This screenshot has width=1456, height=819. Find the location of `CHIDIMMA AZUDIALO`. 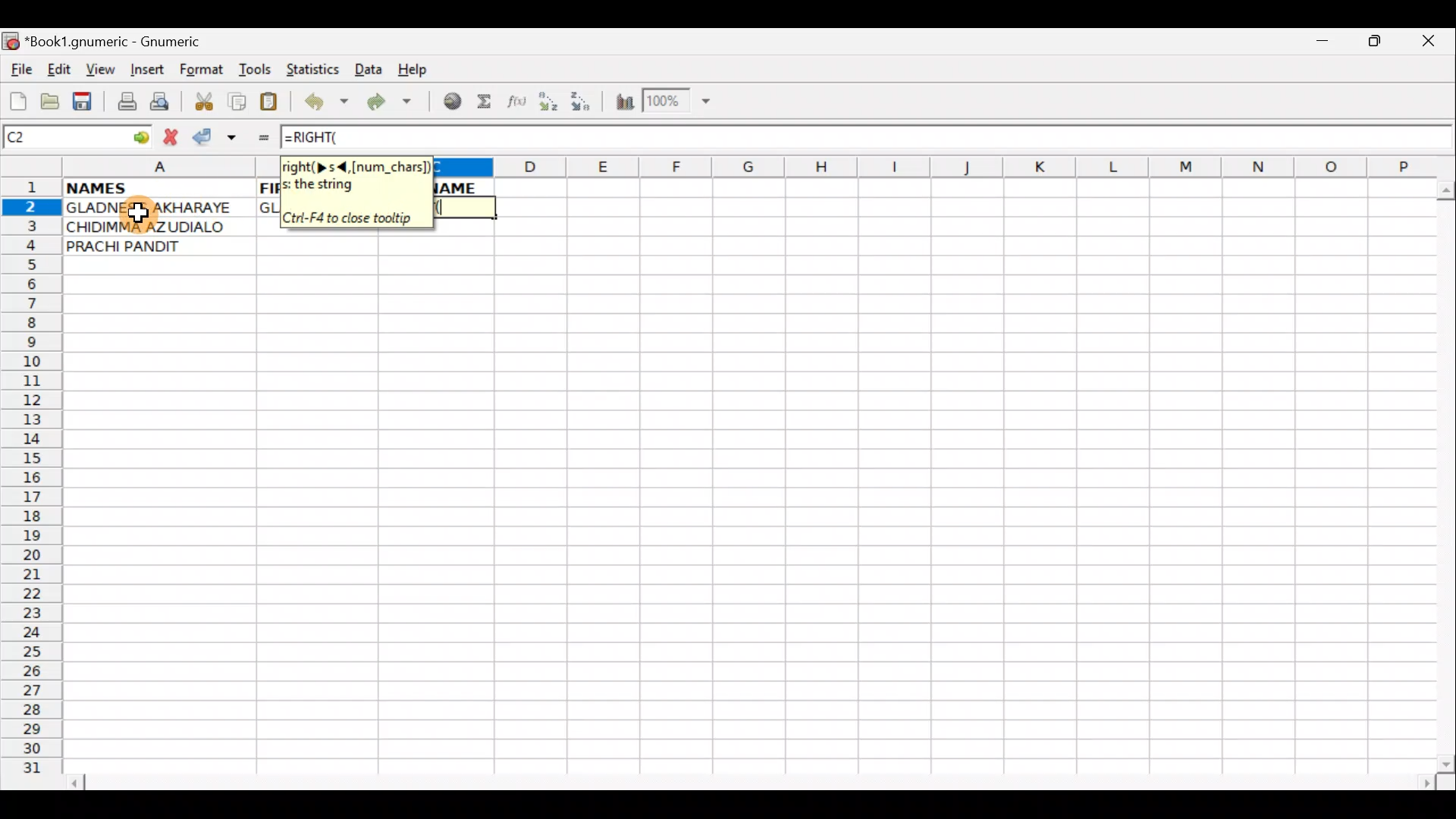

CHIDIMMA AZUDIALO is located at coordinates (150, 227).